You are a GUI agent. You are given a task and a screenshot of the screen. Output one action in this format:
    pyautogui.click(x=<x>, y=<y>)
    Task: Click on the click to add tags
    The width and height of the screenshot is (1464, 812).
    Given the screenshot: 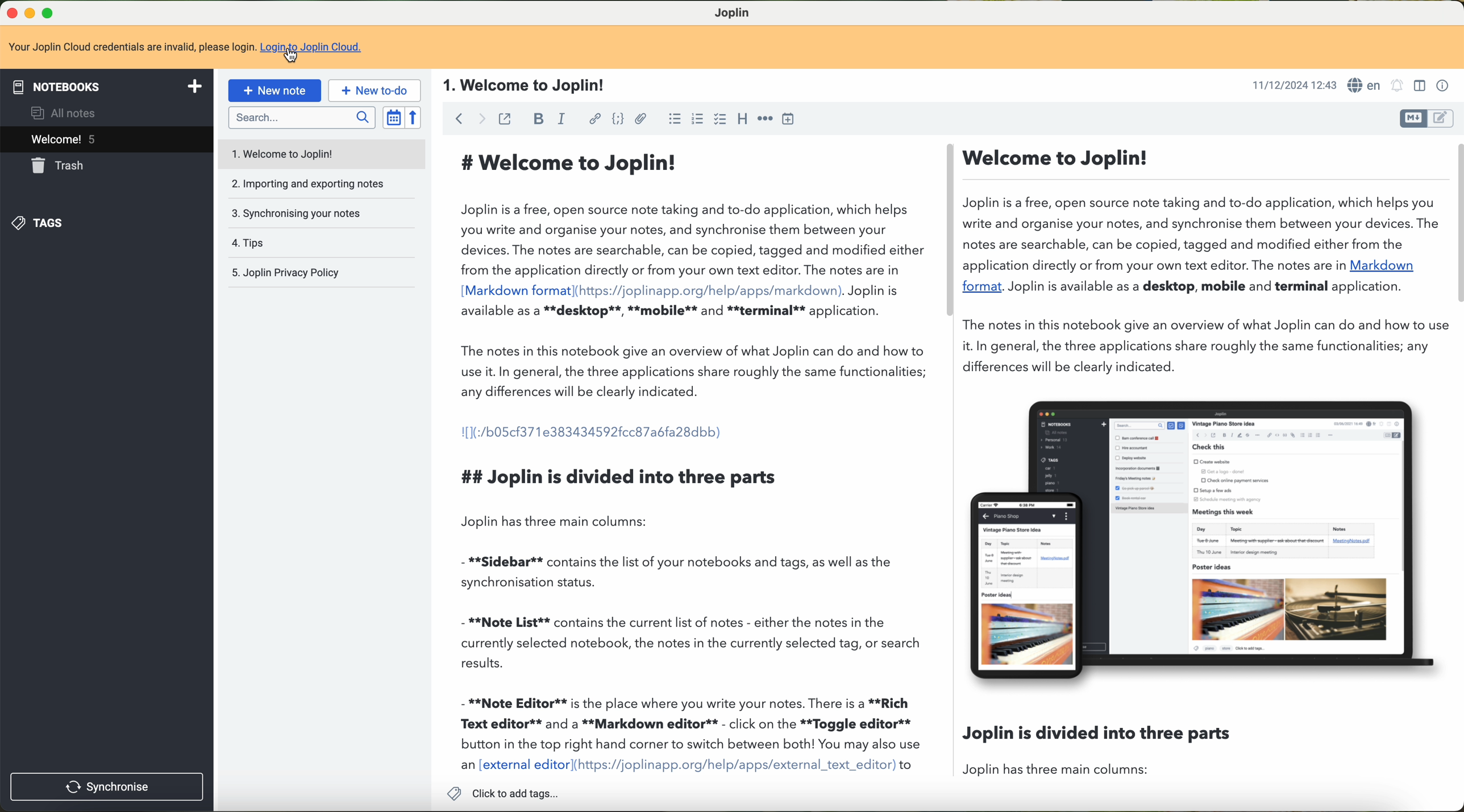 What is the action you would take?
    pyautogui.click(x=501, y=792)
    